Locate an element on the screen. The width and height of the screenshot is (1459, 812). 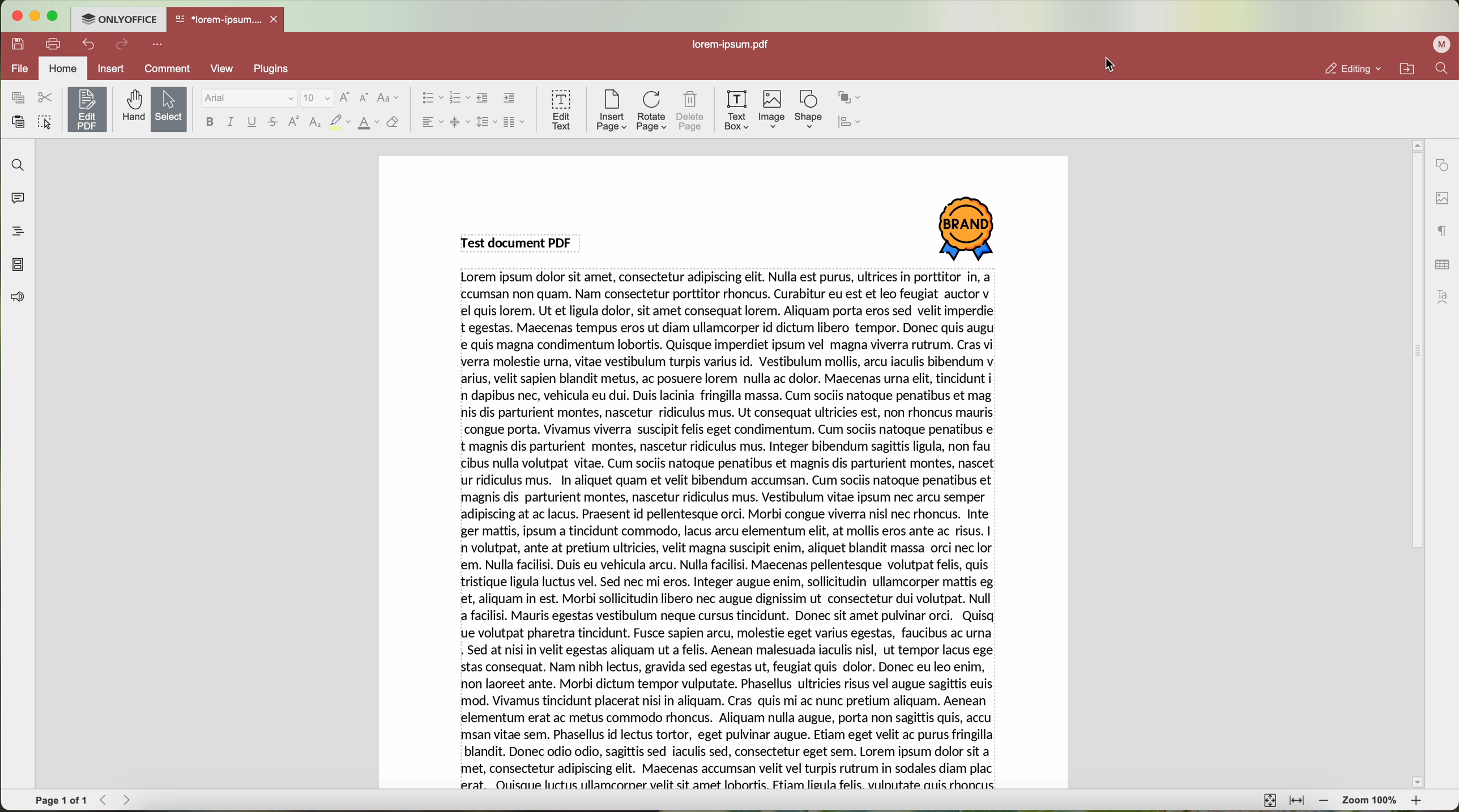
scroll bar is located at coordinates (1411, 464).